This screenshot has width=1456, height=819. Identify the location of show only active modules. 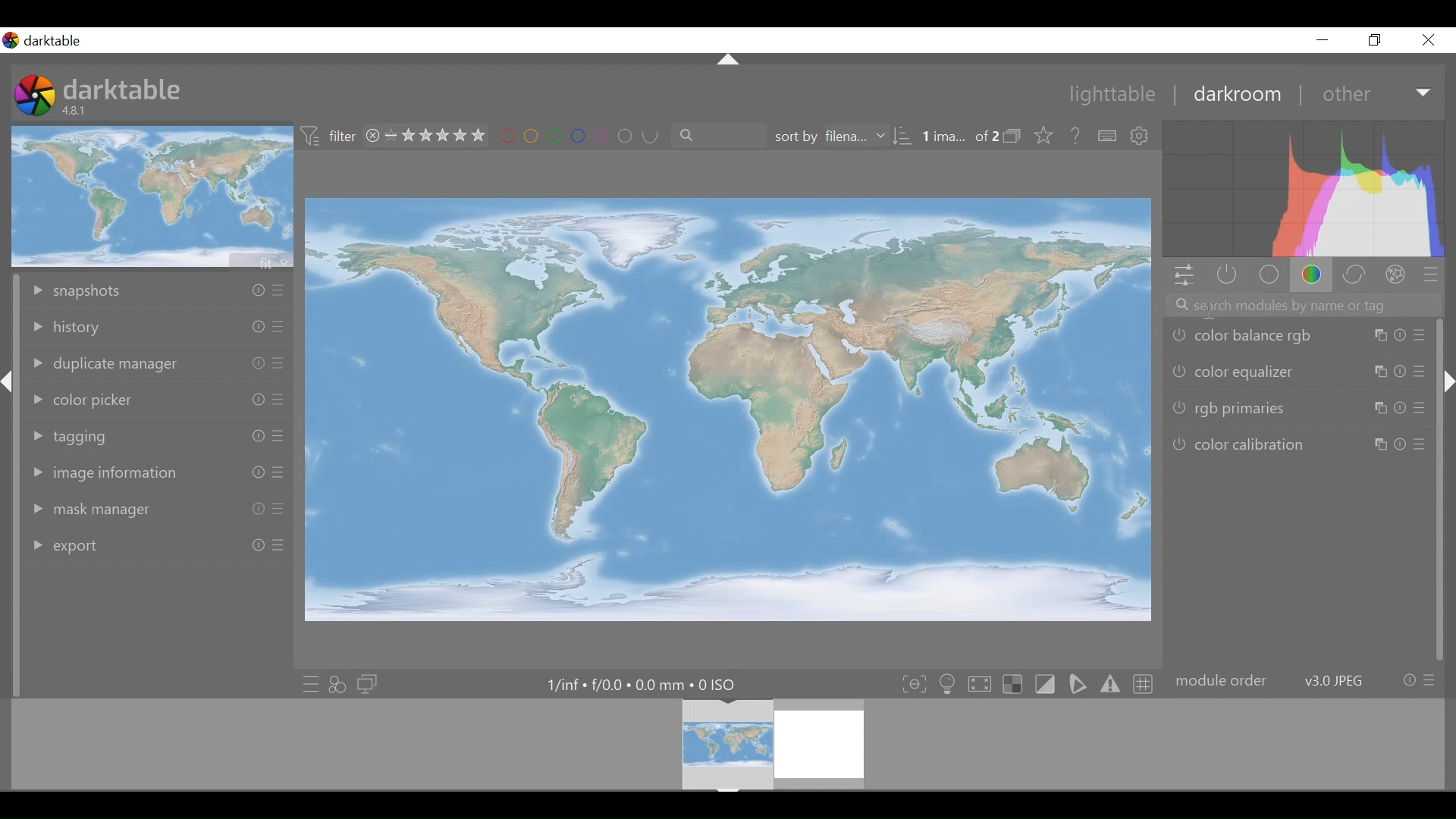
(1227, 275).